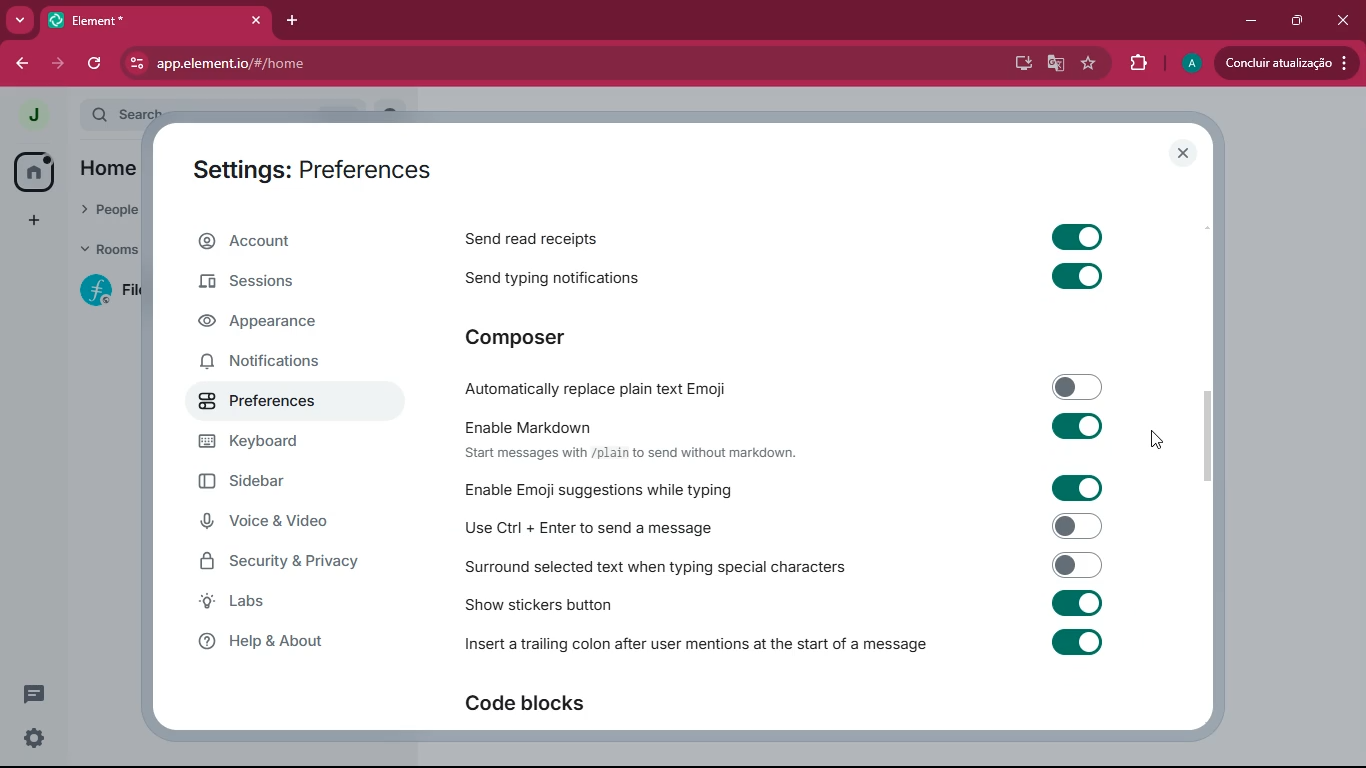 Image resolution: width=1366 pixels, height=768 pixels. Describe the element at coordinates (30, 739) in the screenshot. I see `settings` at that location.